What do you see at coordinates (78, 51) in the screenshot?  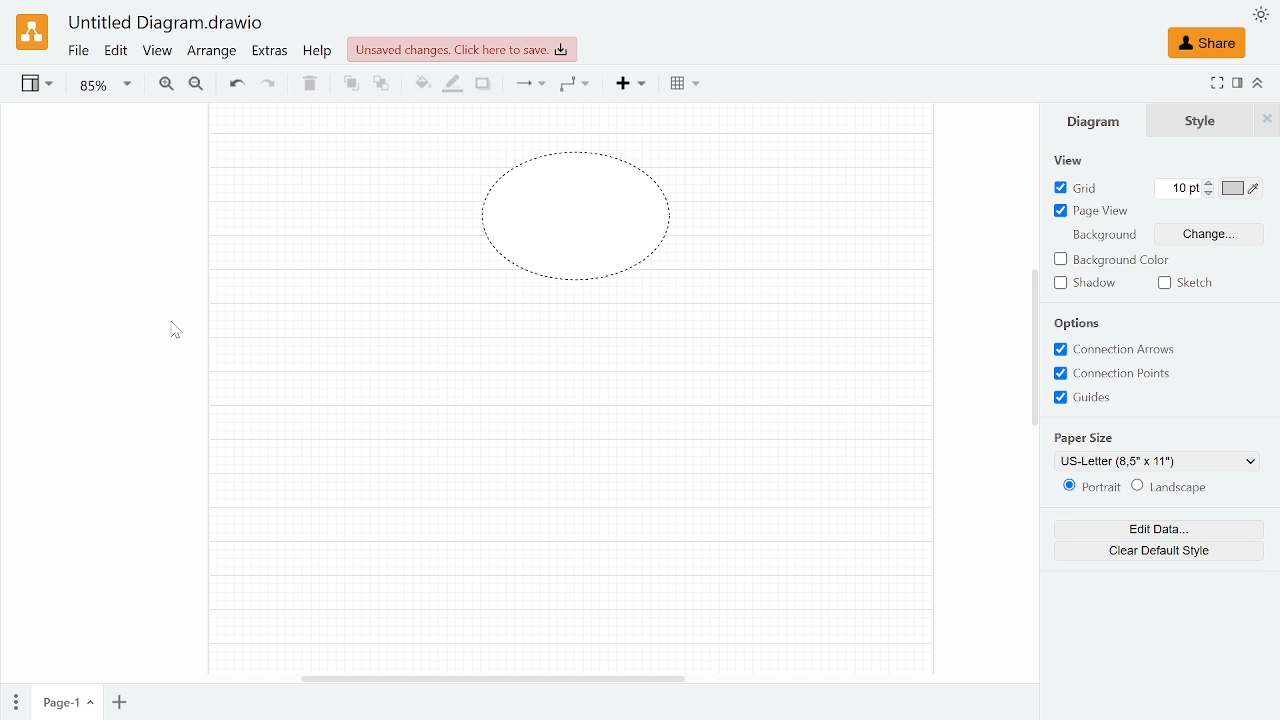 I see `File` at bounding box center [78, 51].